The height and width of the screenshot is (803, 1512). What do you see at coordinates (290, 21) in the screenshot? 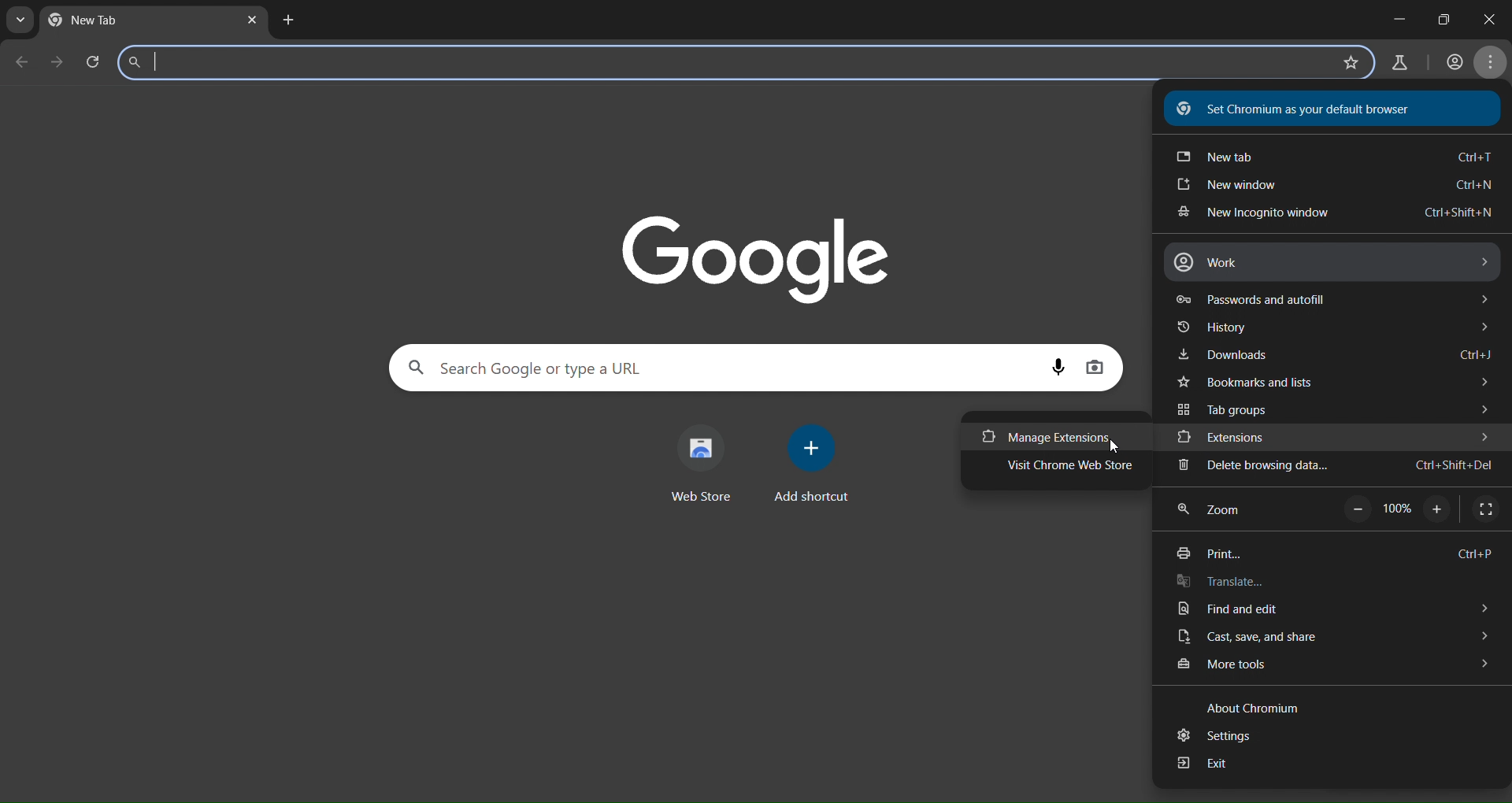
I see `new tab` at bounding box center [290, 21].